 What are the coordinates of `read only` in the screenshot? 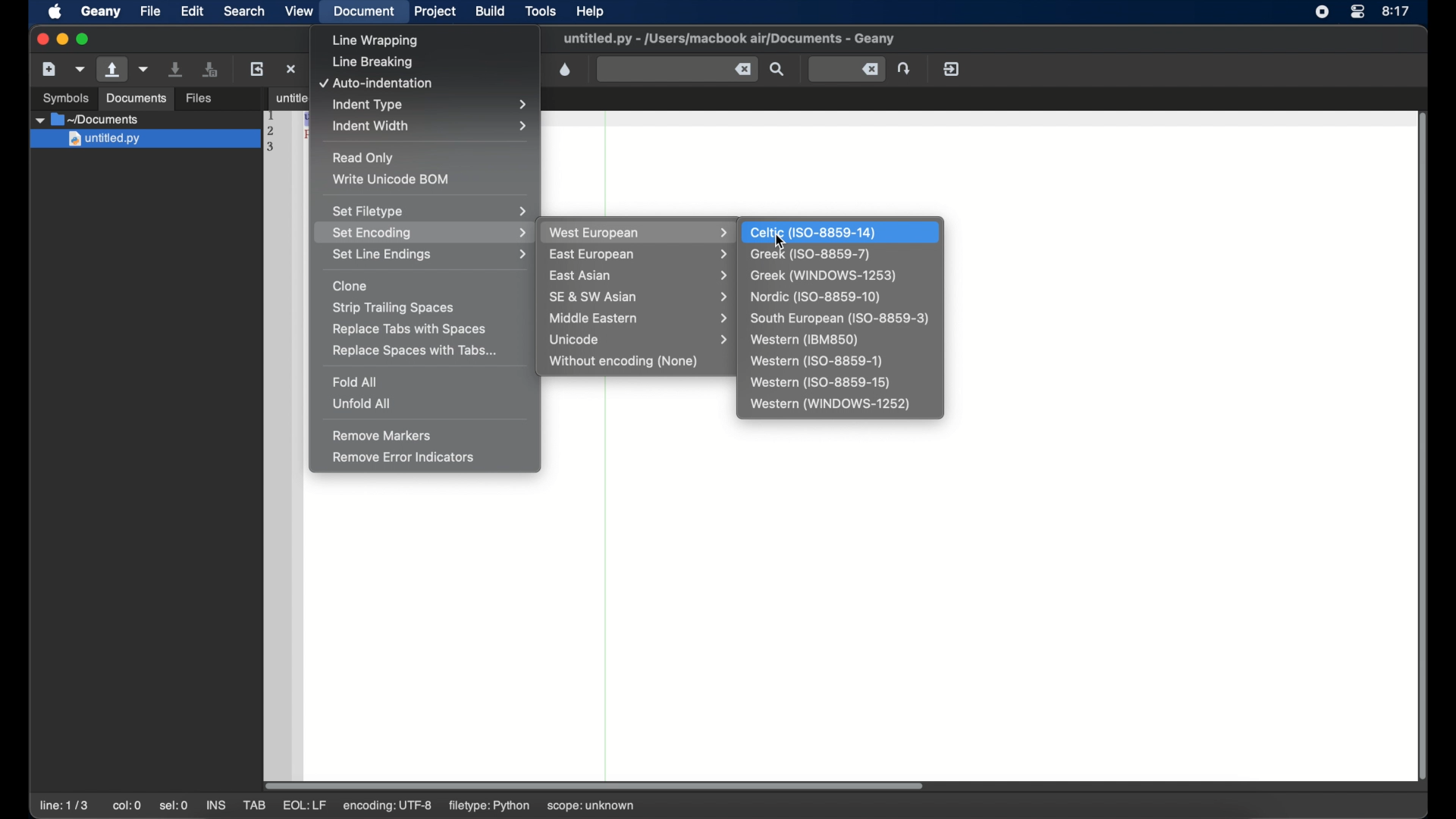 It's located at (364, 158).